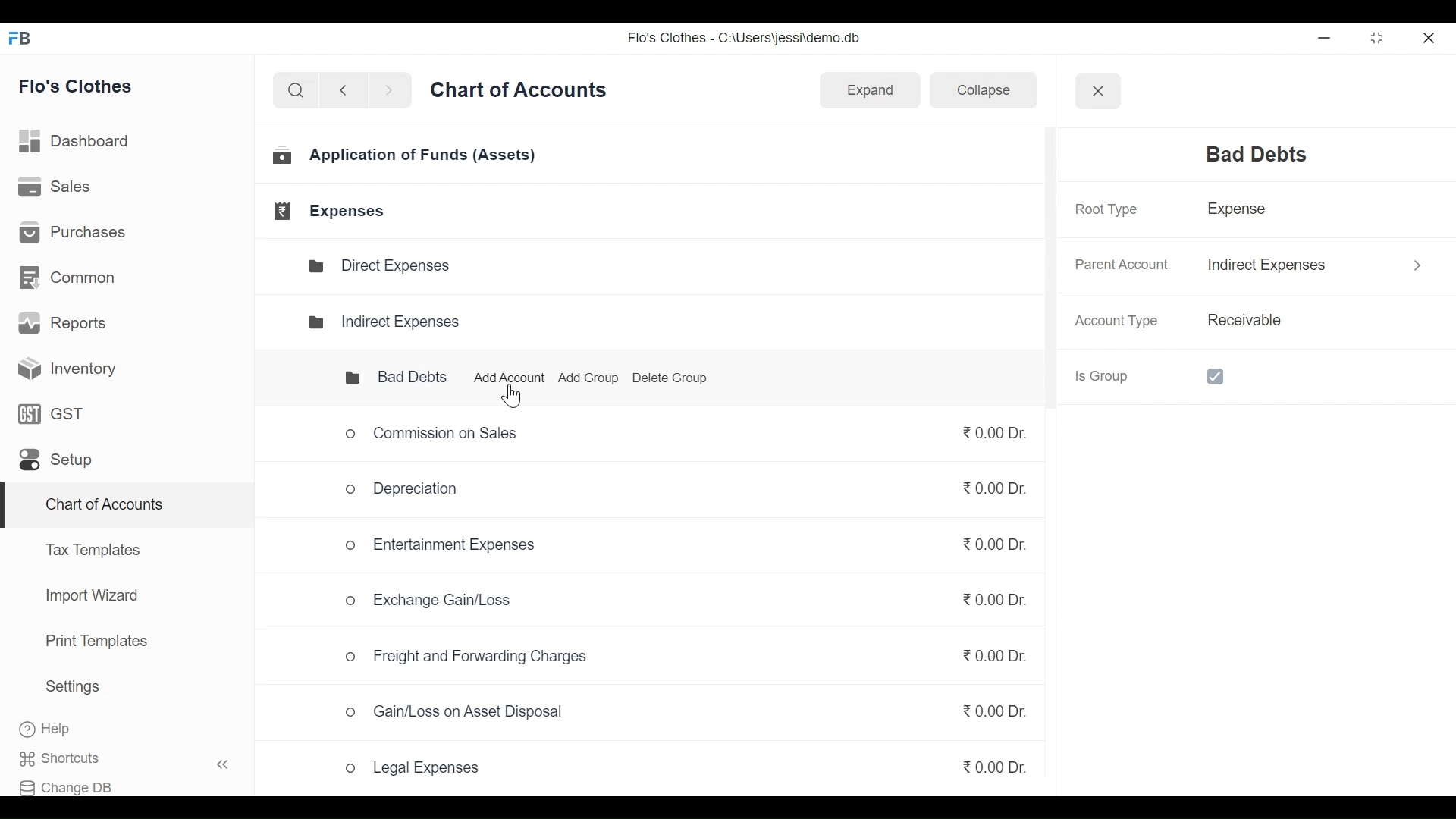  Describe the element at coordinates (977, 93) in the screenshot. I see `Collapse` at that location.